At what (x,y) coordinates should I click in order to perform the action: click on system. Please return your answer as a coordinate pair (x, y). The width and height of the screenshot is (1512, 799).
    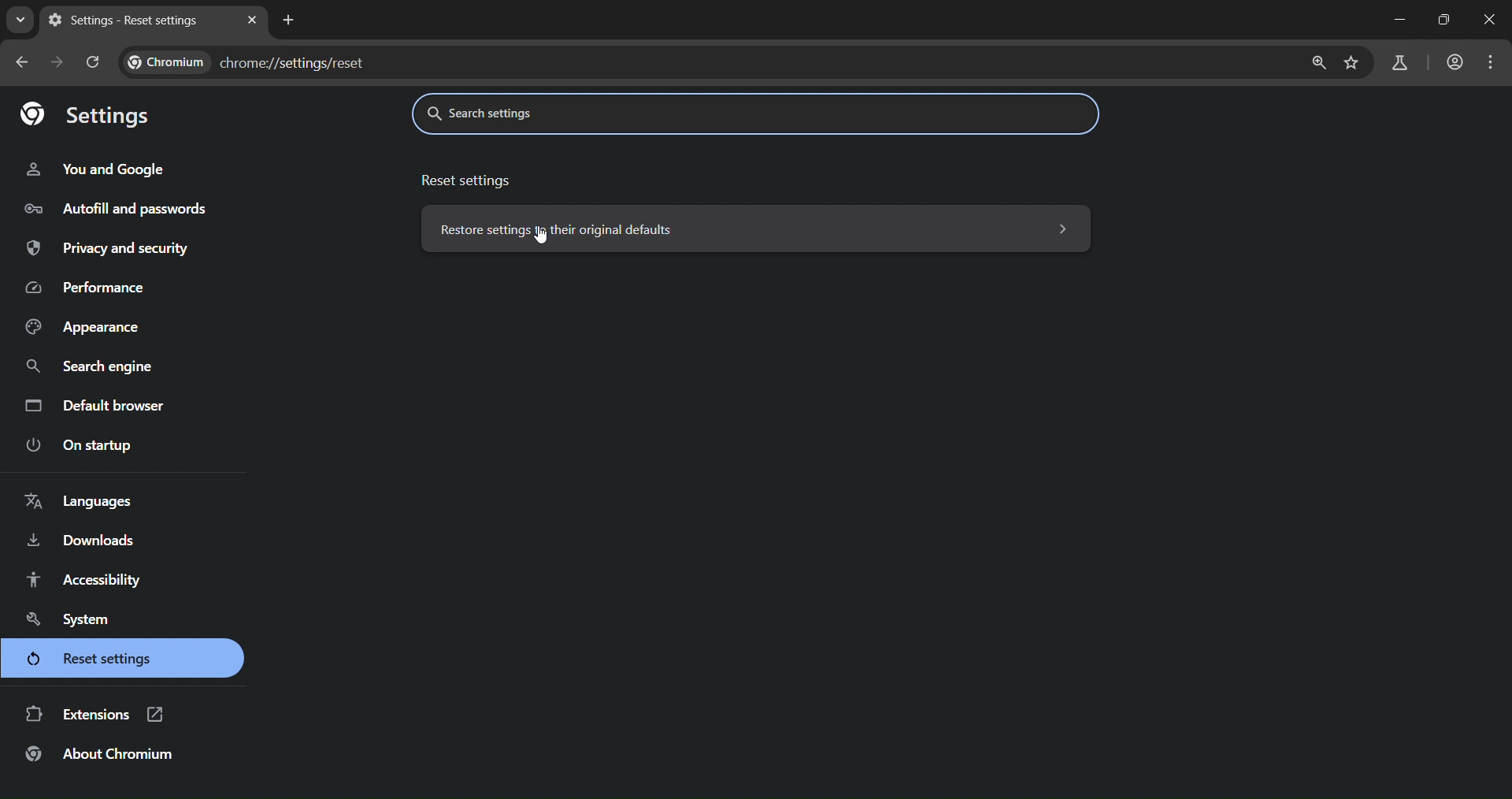
    Looking at the image, I should click on (72, 619).